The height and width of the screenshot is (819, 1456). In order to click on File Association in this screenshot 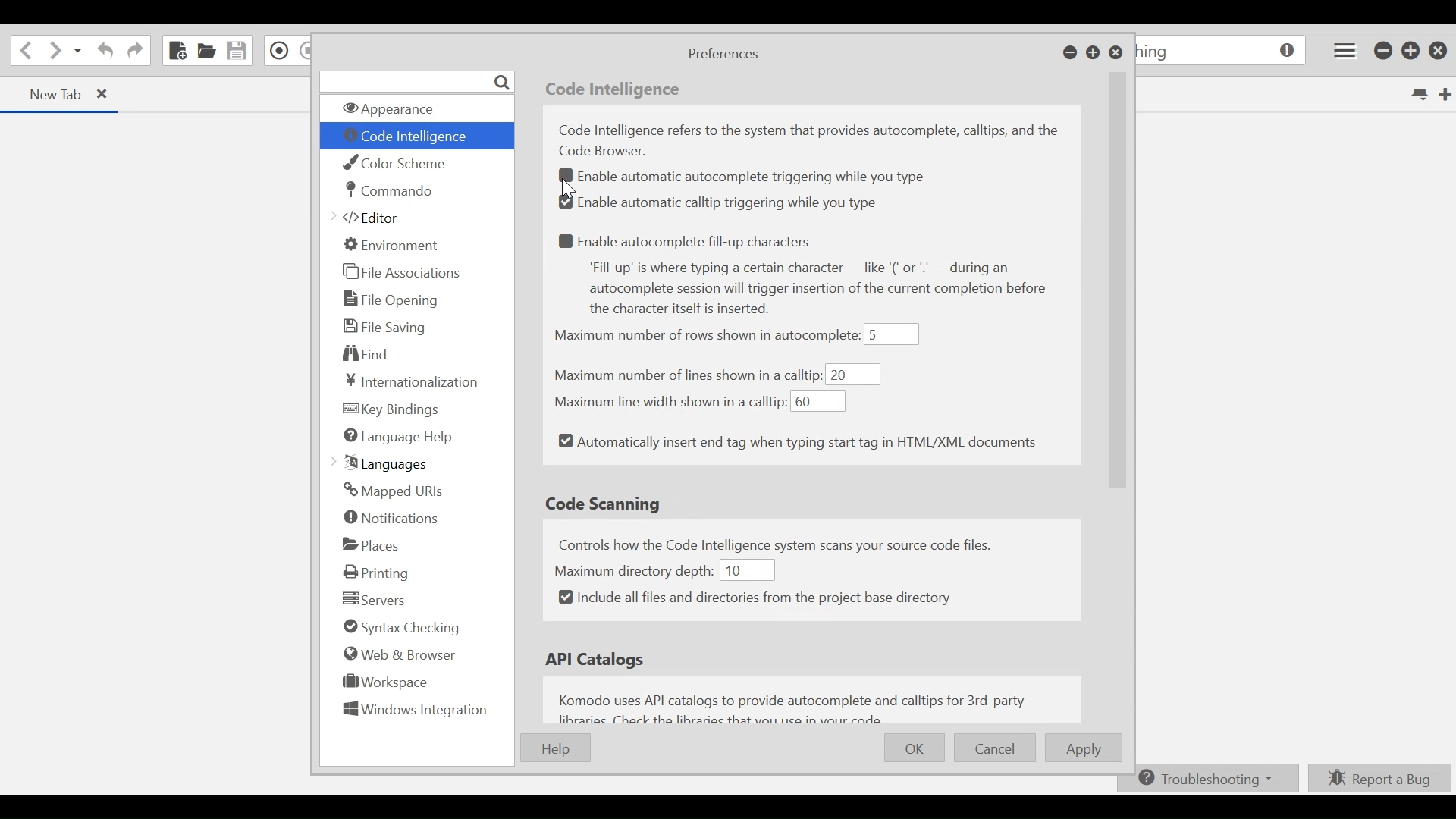, I will do `click(403, 273)`.